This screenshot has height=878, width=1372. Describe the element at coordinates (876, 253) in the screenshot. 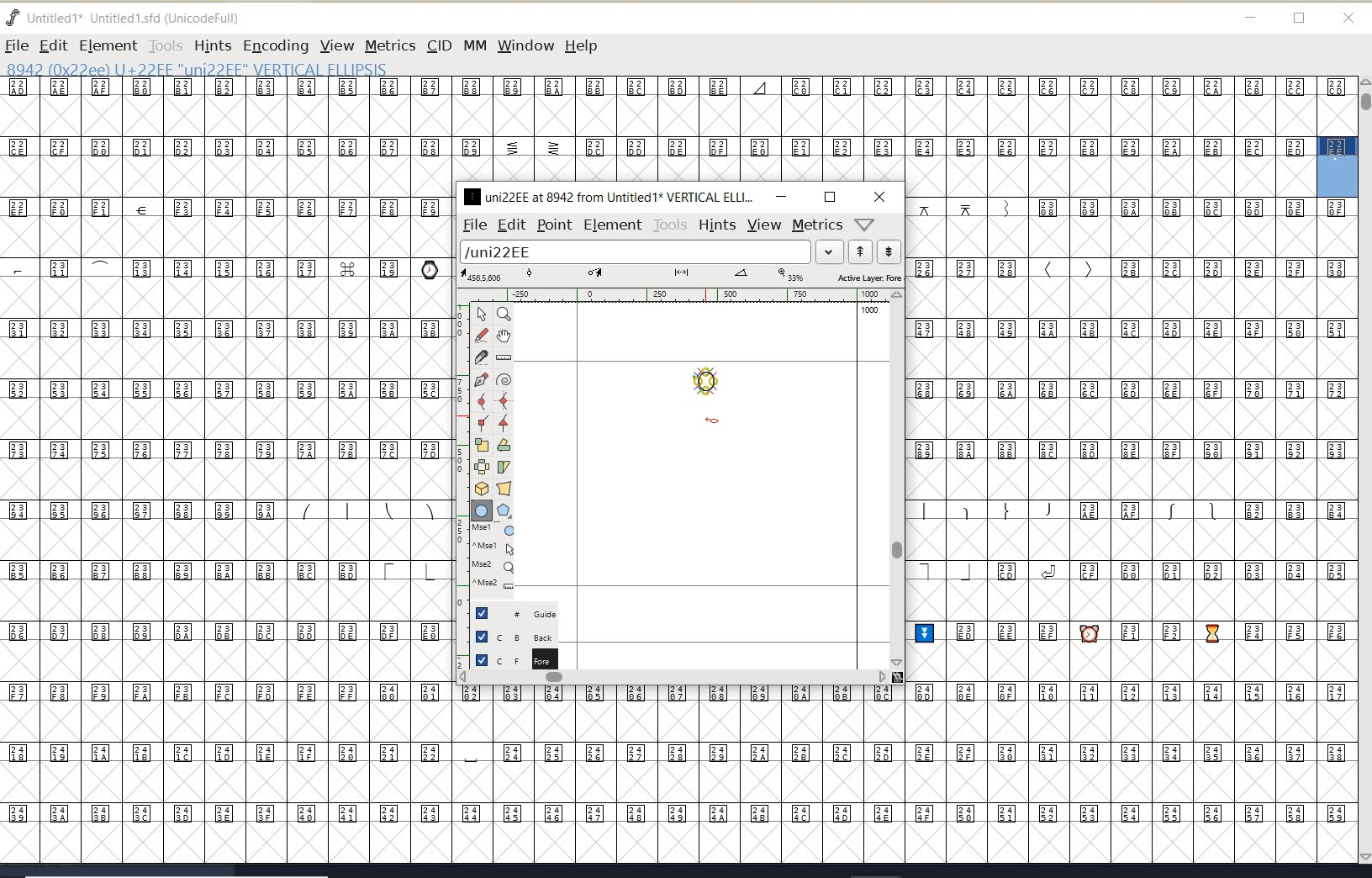

I see `show previous/next word list` at that location.